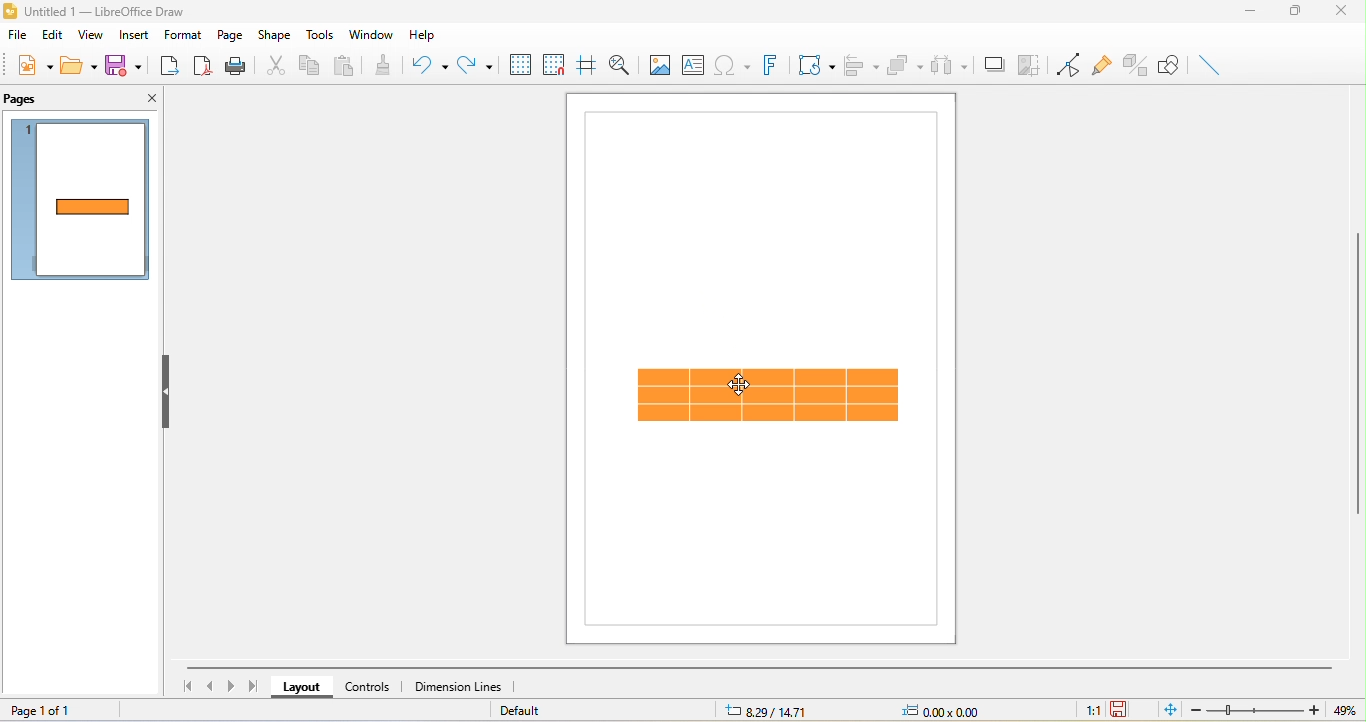  I want to click on dimension line, so click(457, 685).